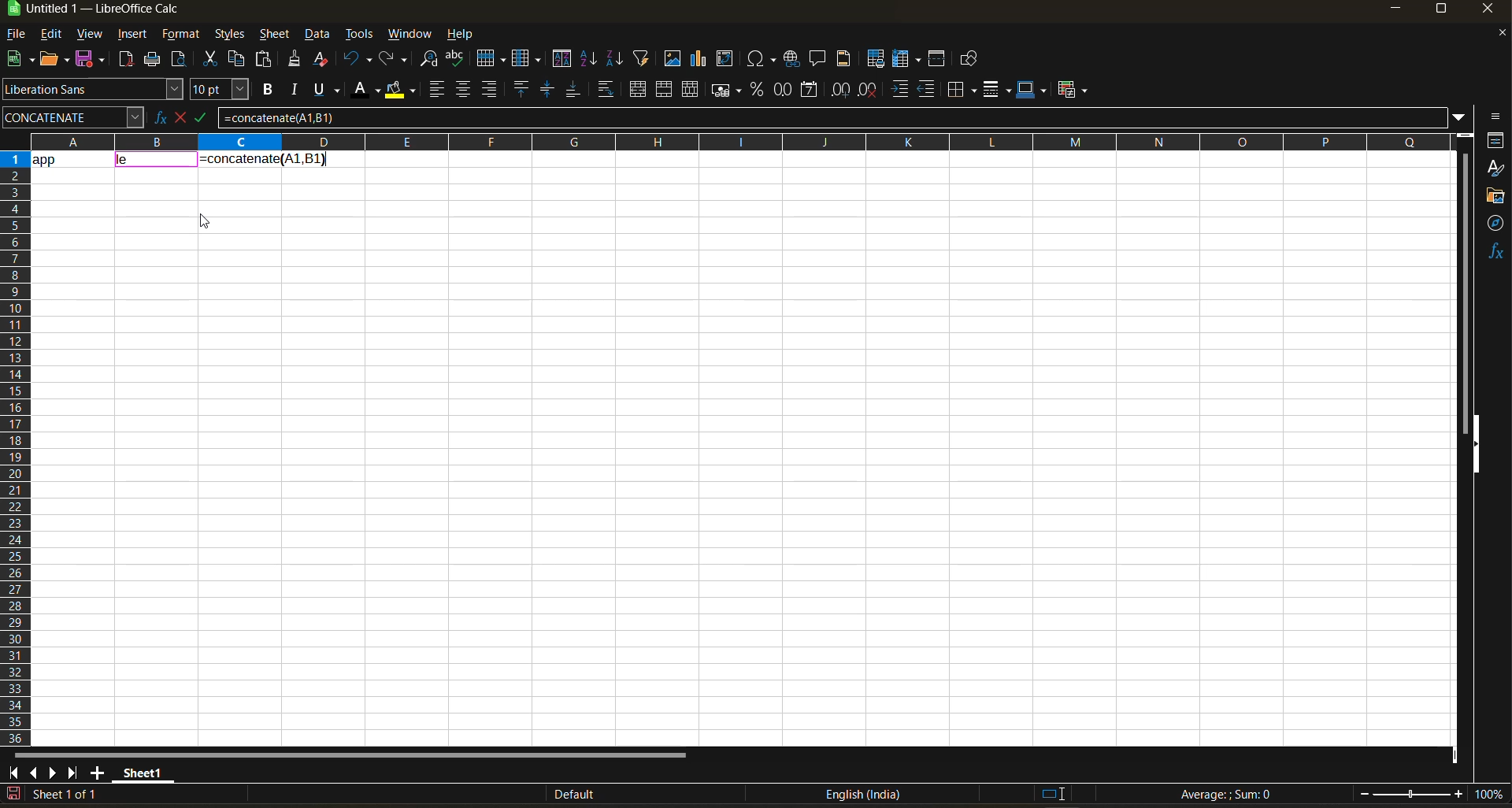  What do you see at coordinates (1496, 37) in the screenshot?
I see `close document` at bounding box center [1496, 37].